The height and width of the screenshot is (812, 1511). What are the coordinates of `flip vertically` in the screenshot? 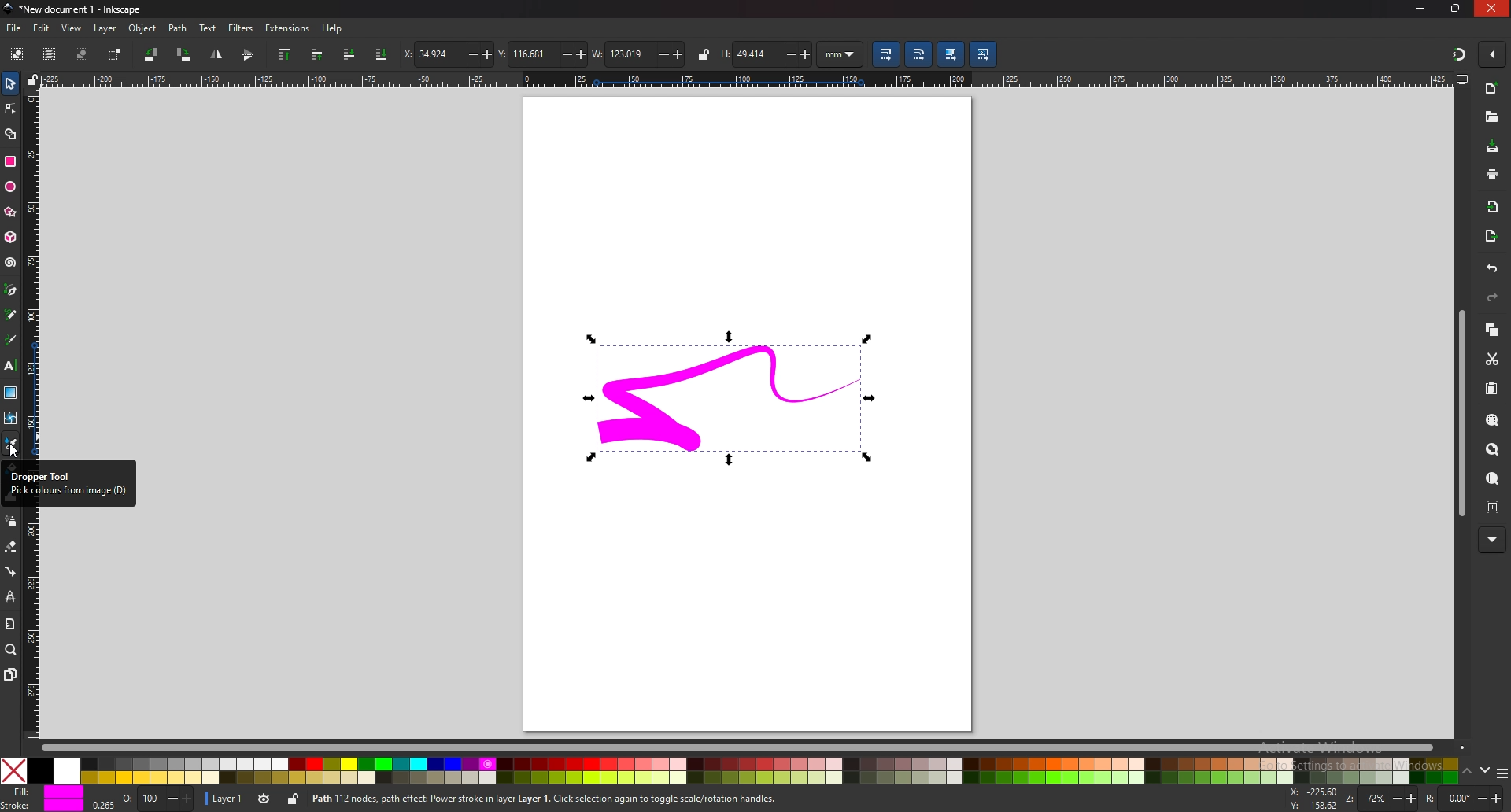 It's located at (216, 55).